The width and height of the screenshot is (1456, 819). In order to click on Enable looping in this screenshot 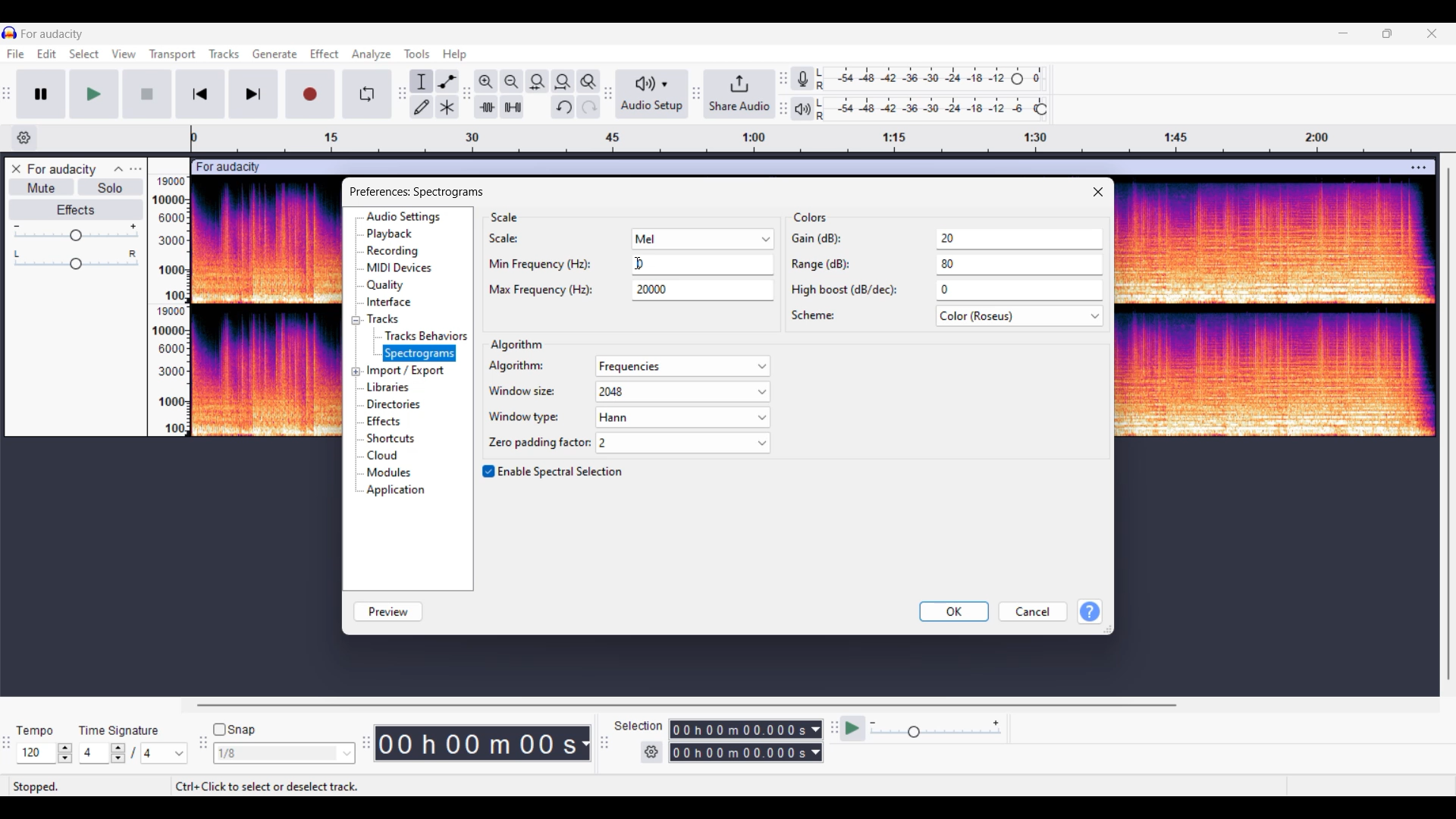, I will do `click(367, 94)`.